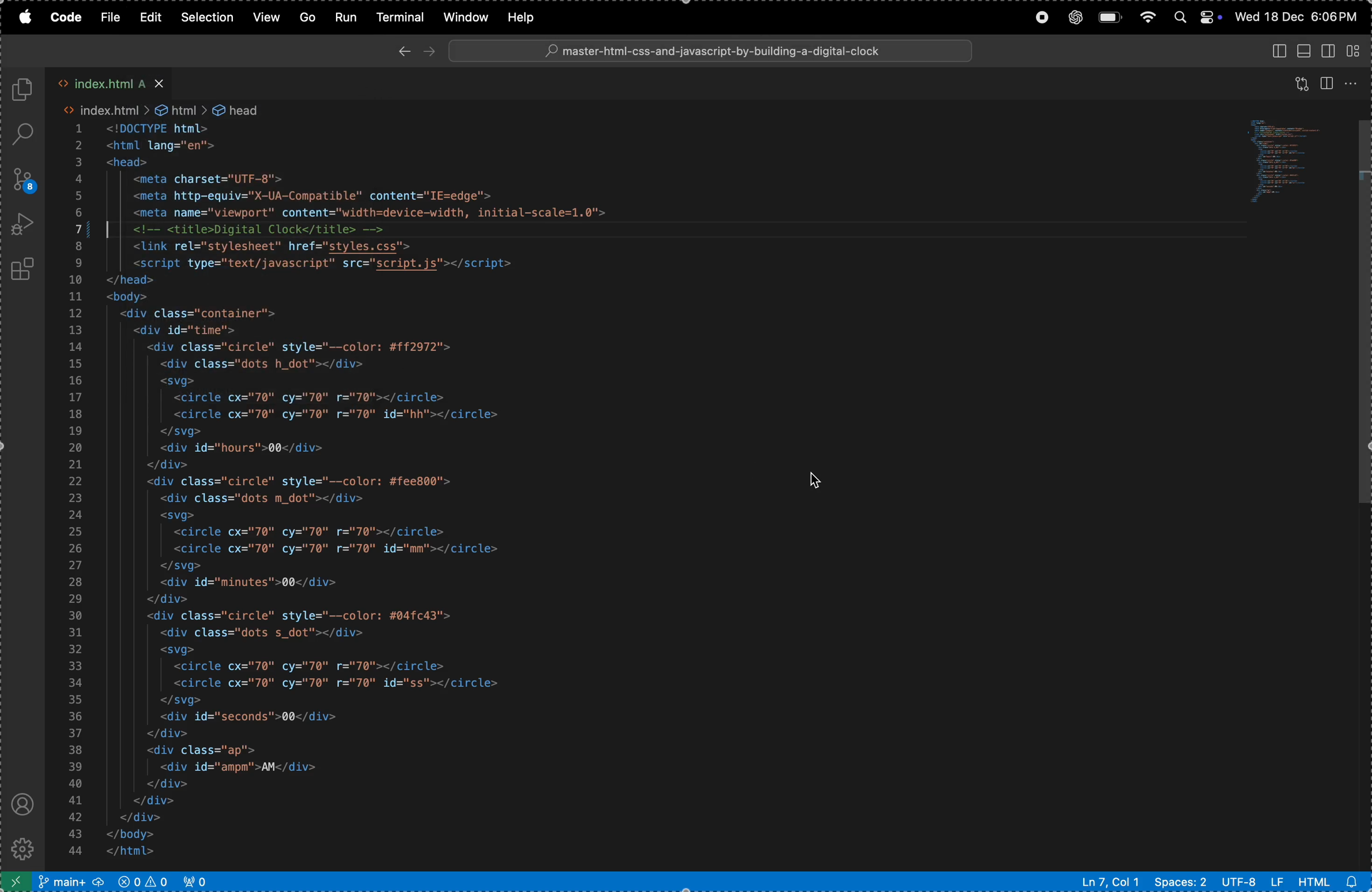  Describe the element at coordinates (26, 134) in the screenshot. I see `search` at that location.